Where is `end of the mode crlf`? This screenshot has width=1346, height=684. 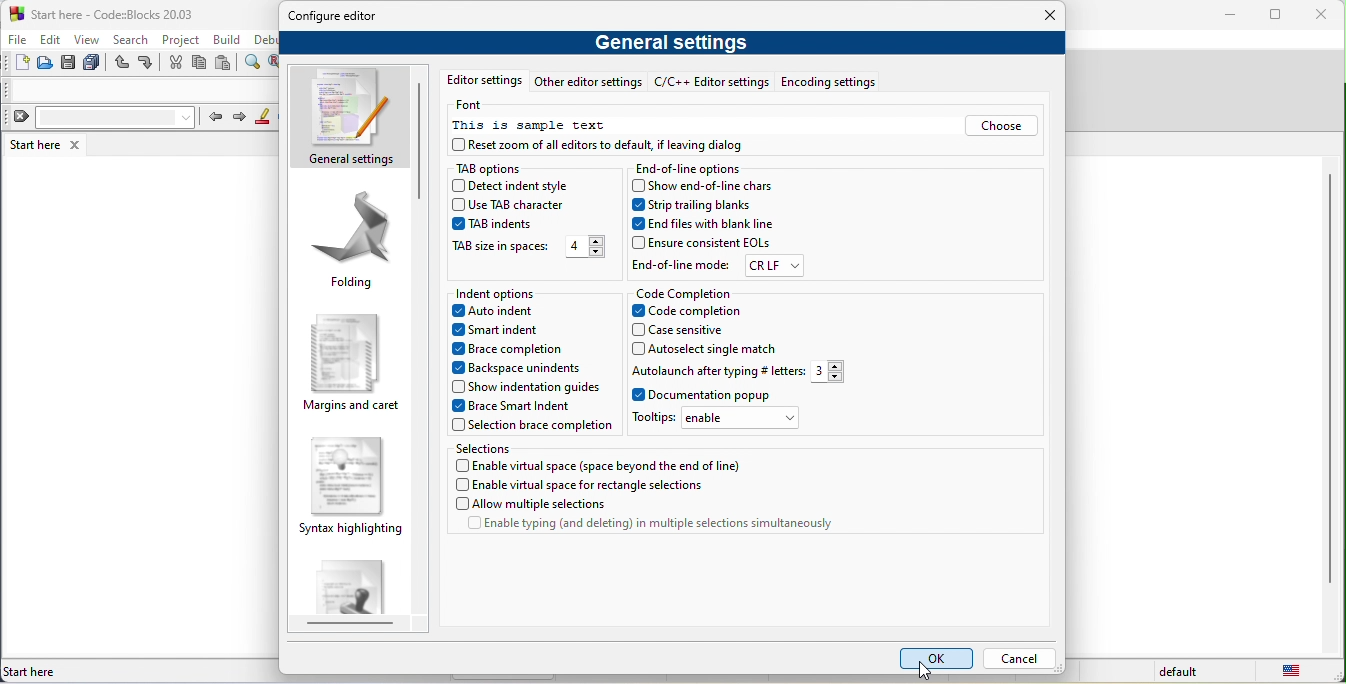 end of the mode crlf is located at coordinates (720, 265).